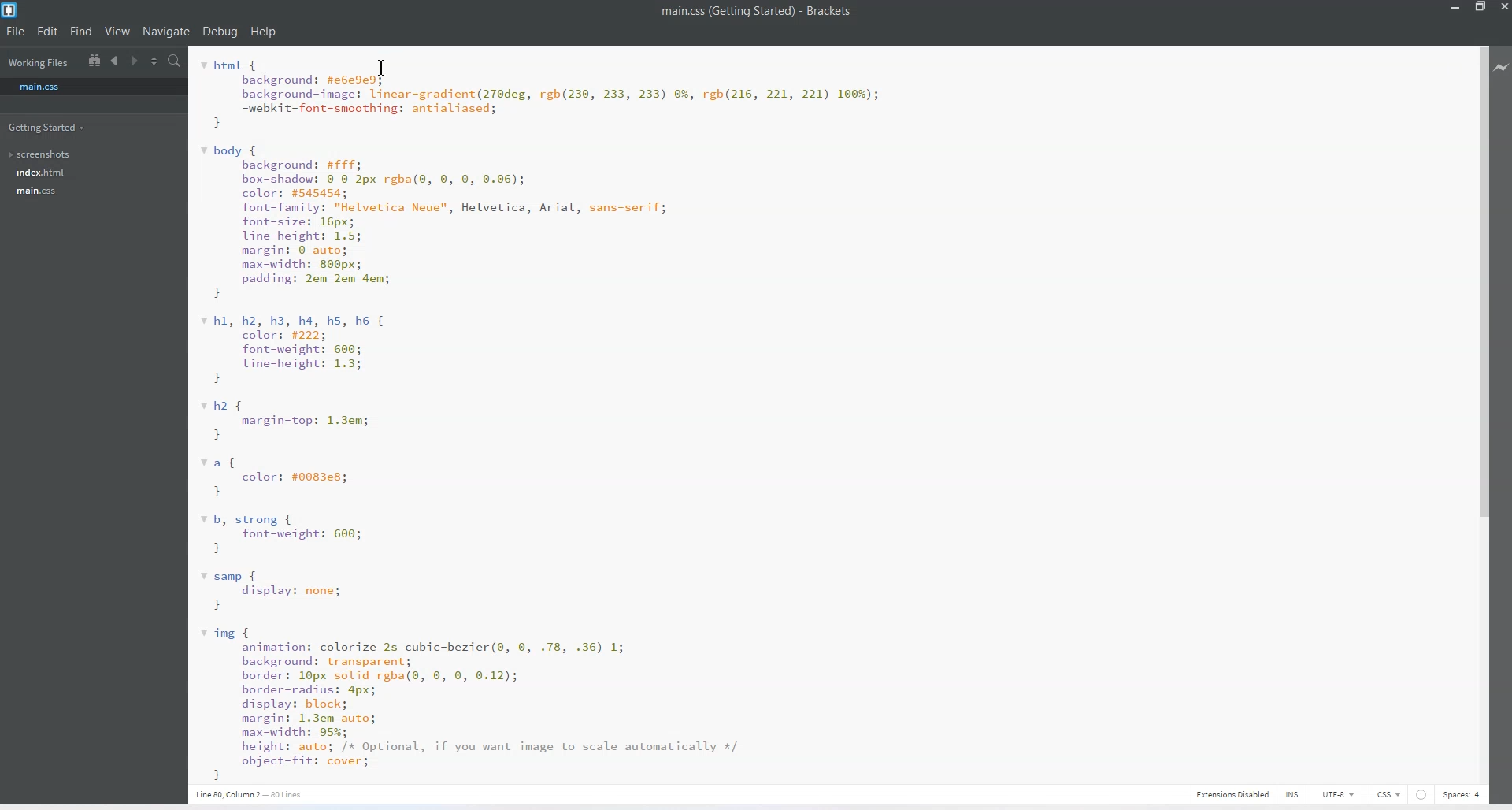  Describe the element at coordinates (94, 87) in the screenshot. I see `main.css` at that location.